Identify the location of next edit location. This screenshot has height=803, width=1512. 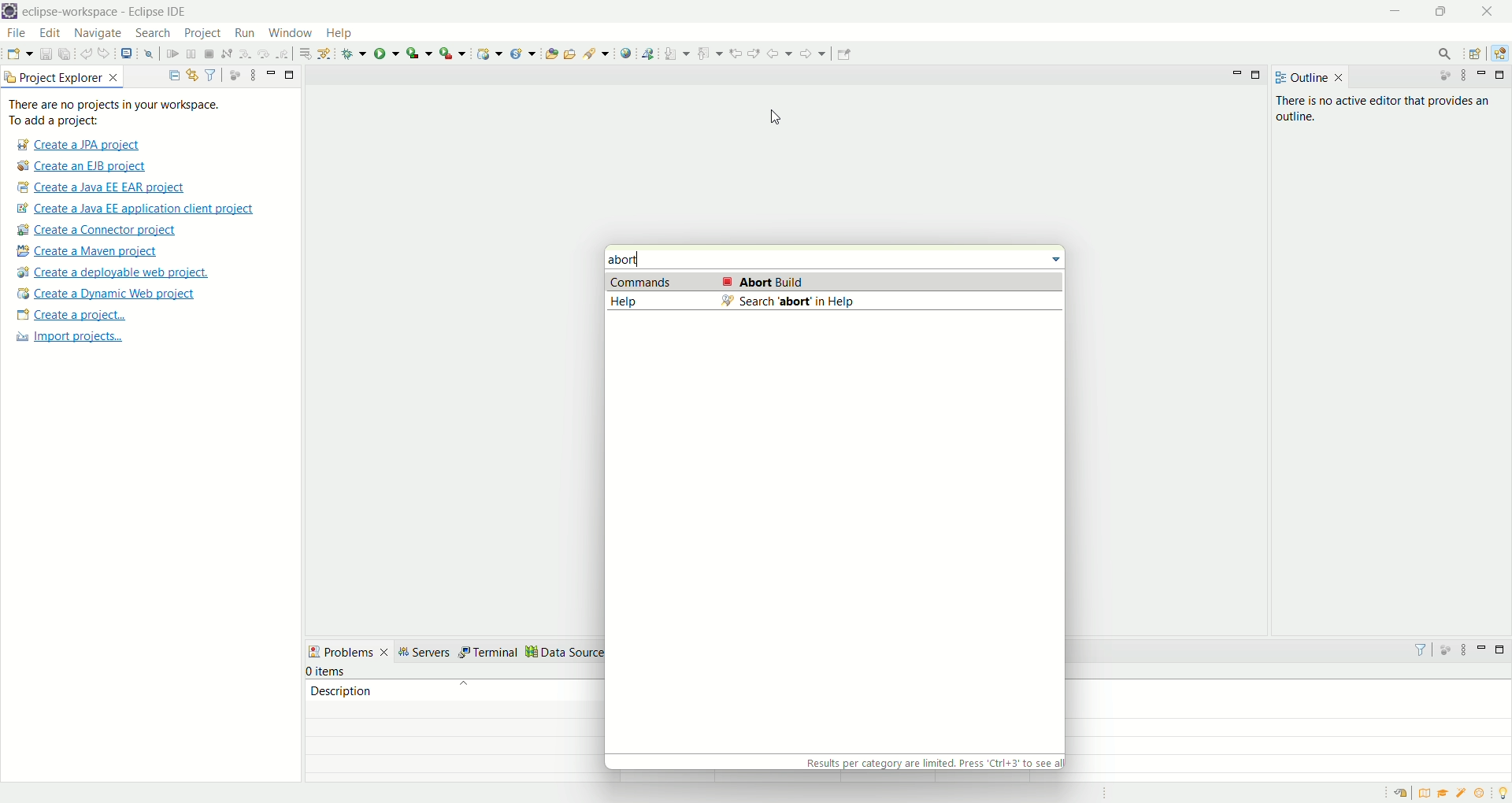
(753, 53).